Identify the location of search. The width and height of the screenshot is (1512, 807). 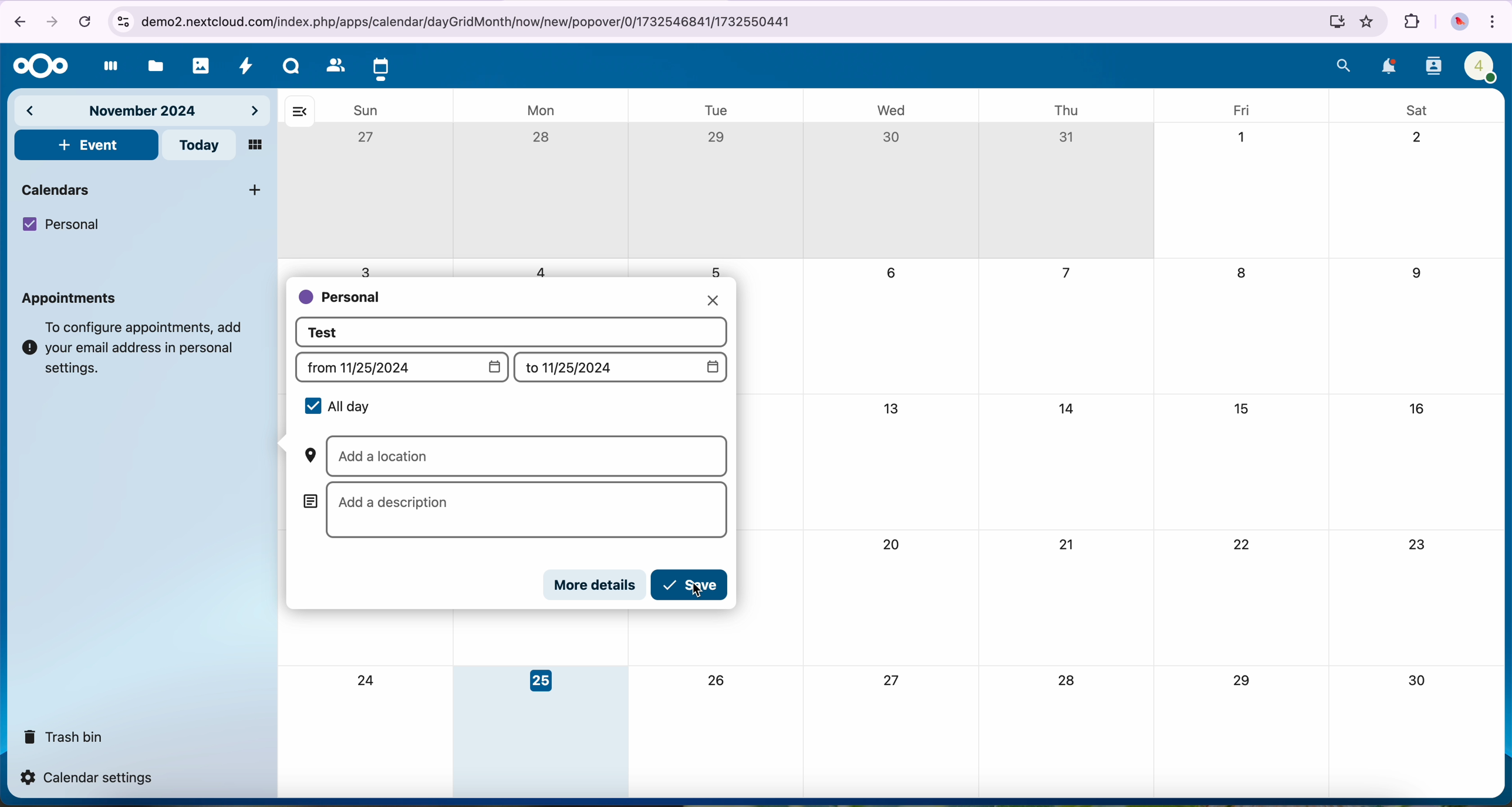
(1345, 65).